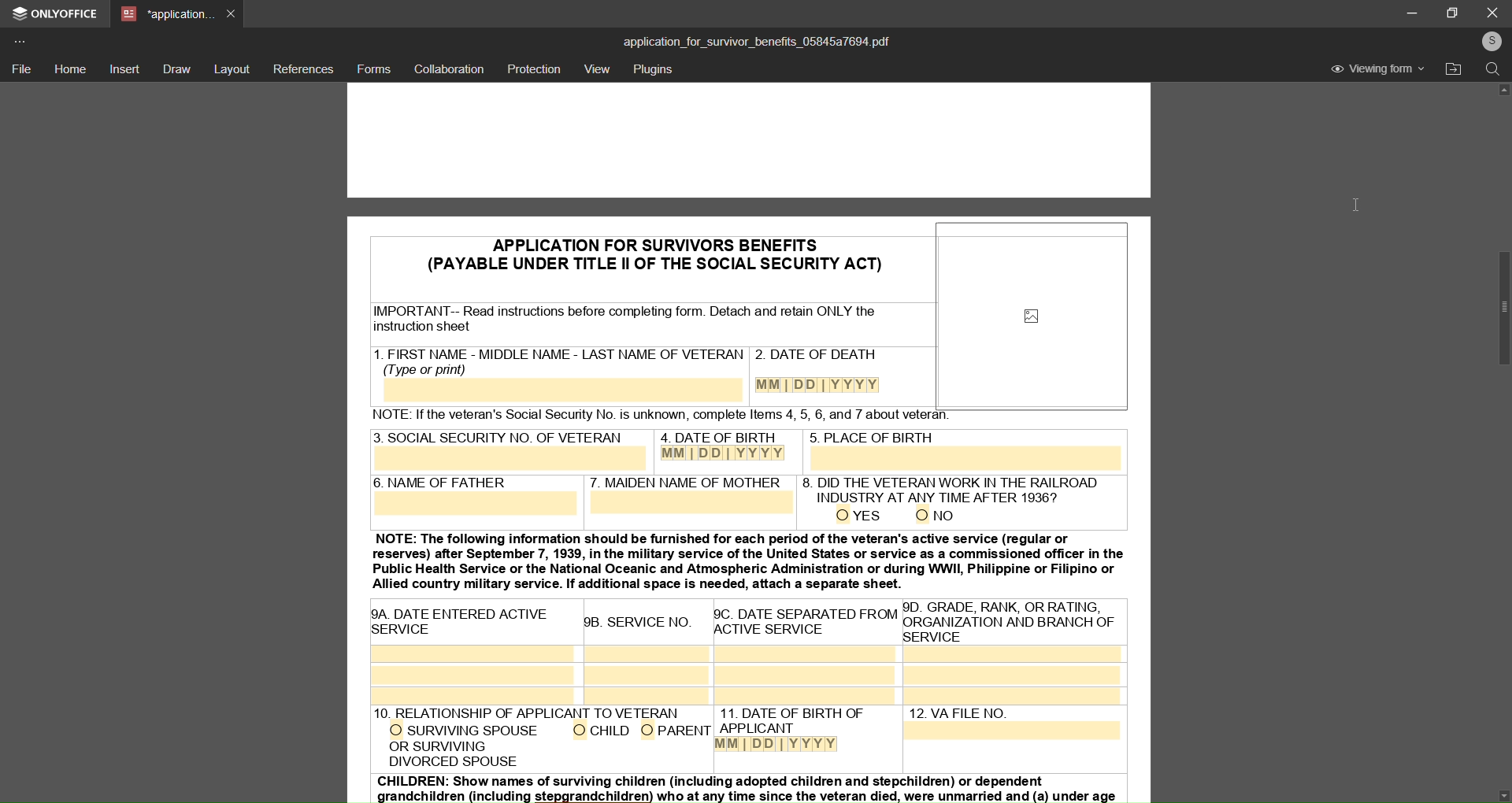 Image resolution: width=1512 pixels, height=803 pixels. Describe the element at coordinates (756, 40) in the screenshot. I see `title` at that location.